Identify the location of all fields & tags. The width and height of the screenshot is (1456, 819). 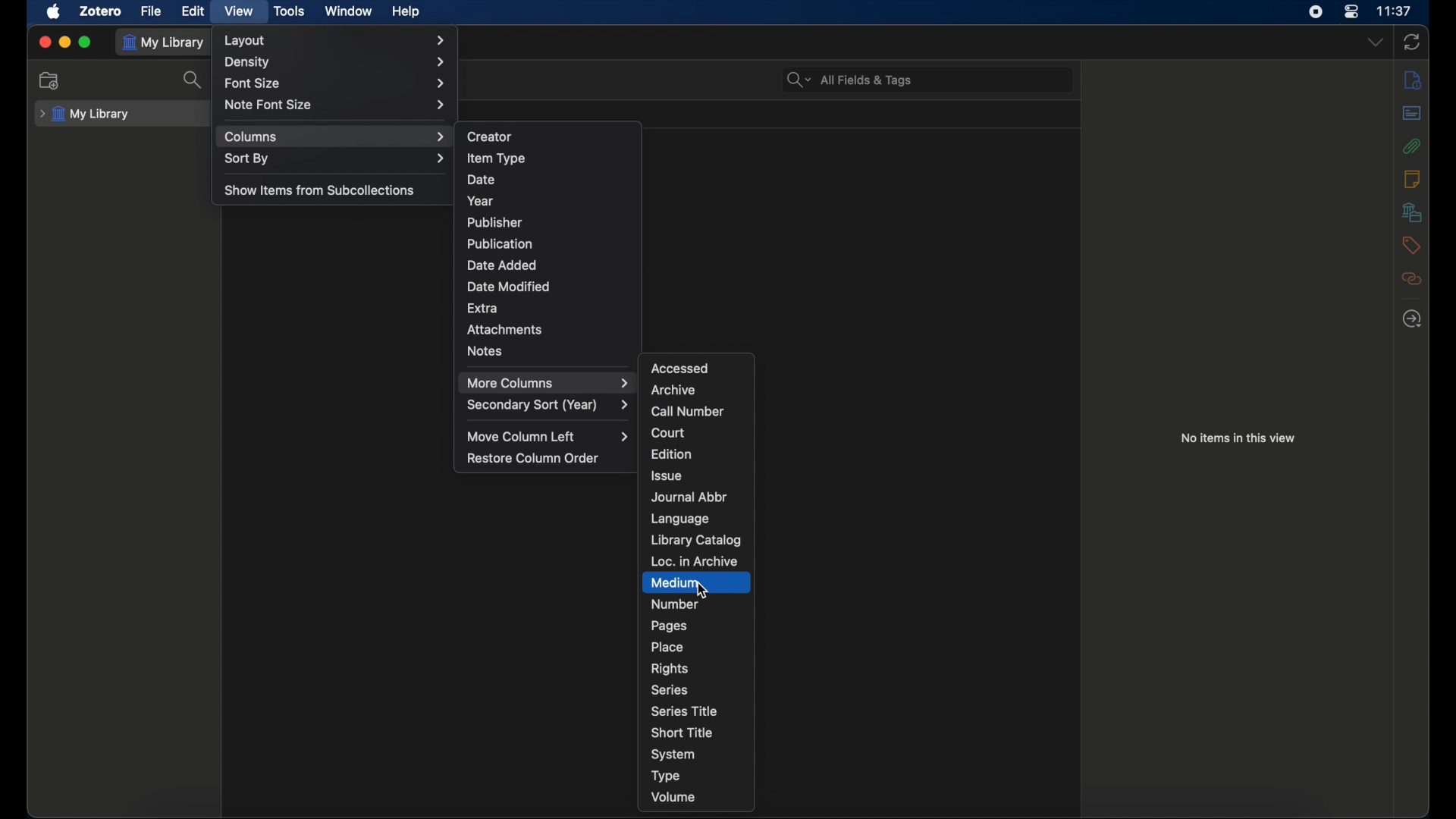
(850, 79).